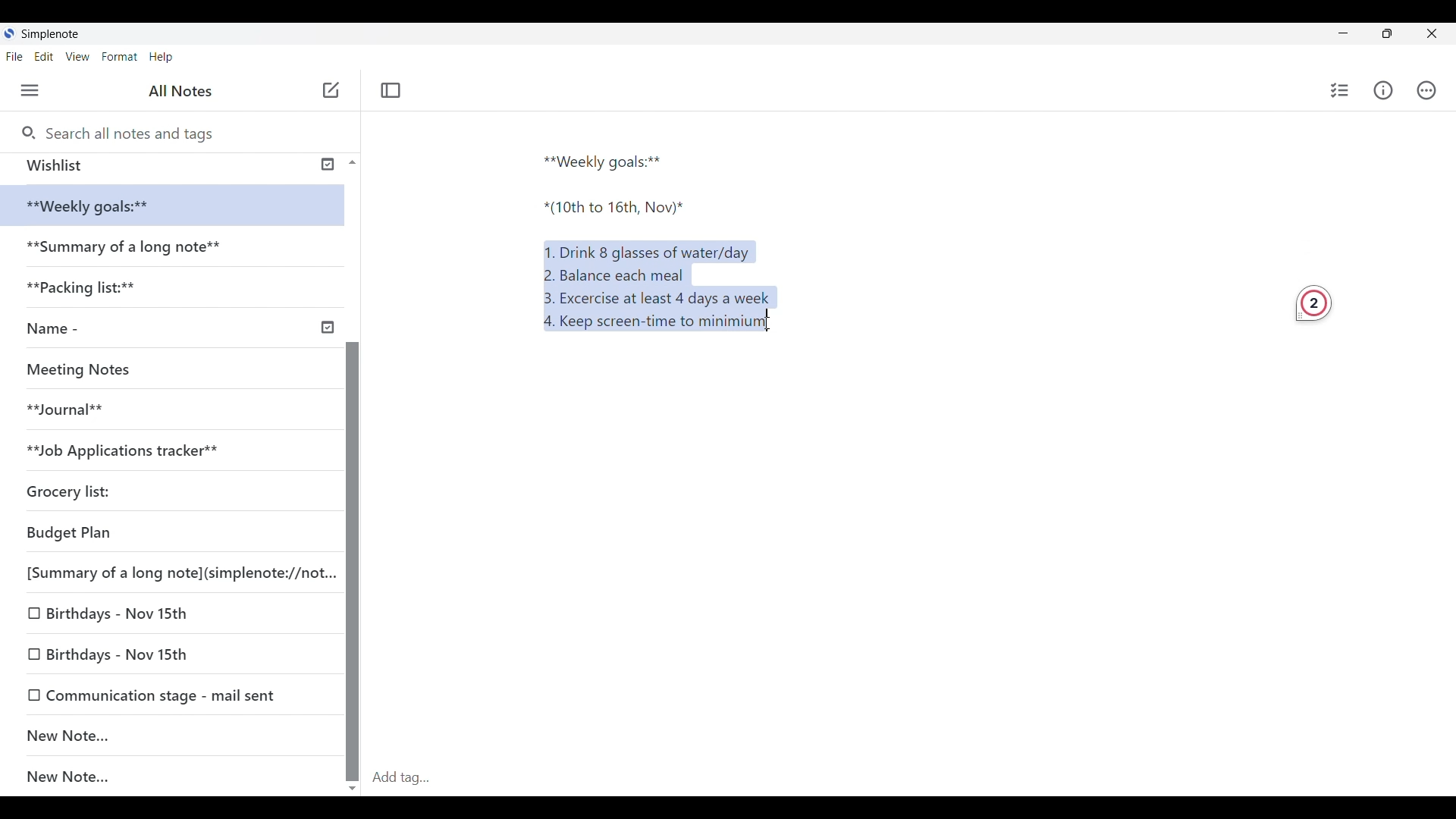 Image resolution: width=1456 pixels, height=819 pixels. Describe the element at coordinates (85, 367) in the screenshot. I see `Meeting Notes` at that location.